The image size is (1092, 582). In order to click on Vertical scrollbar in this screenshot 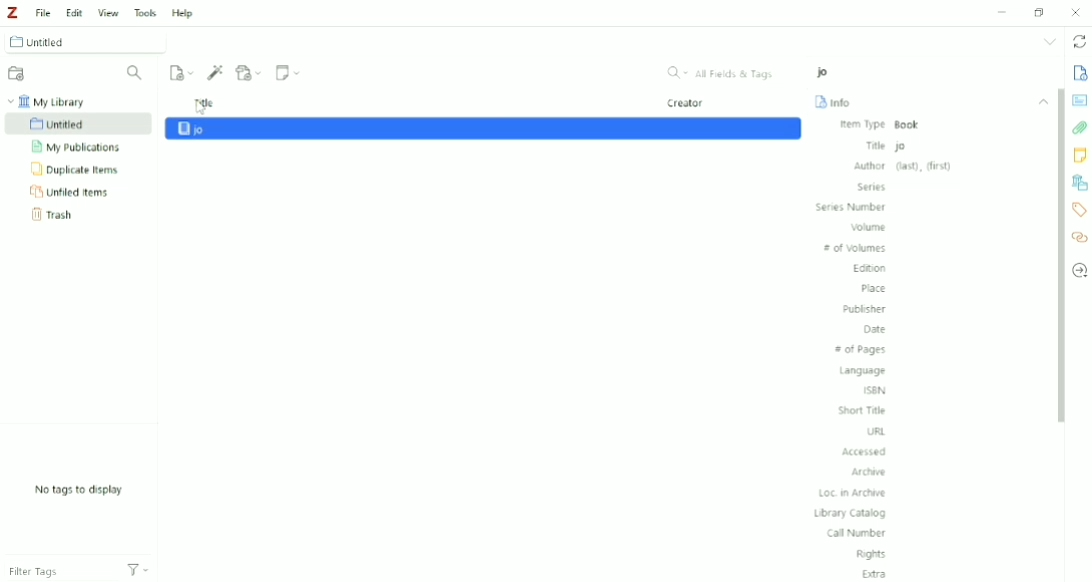, I will do `click(1059, 258)`.